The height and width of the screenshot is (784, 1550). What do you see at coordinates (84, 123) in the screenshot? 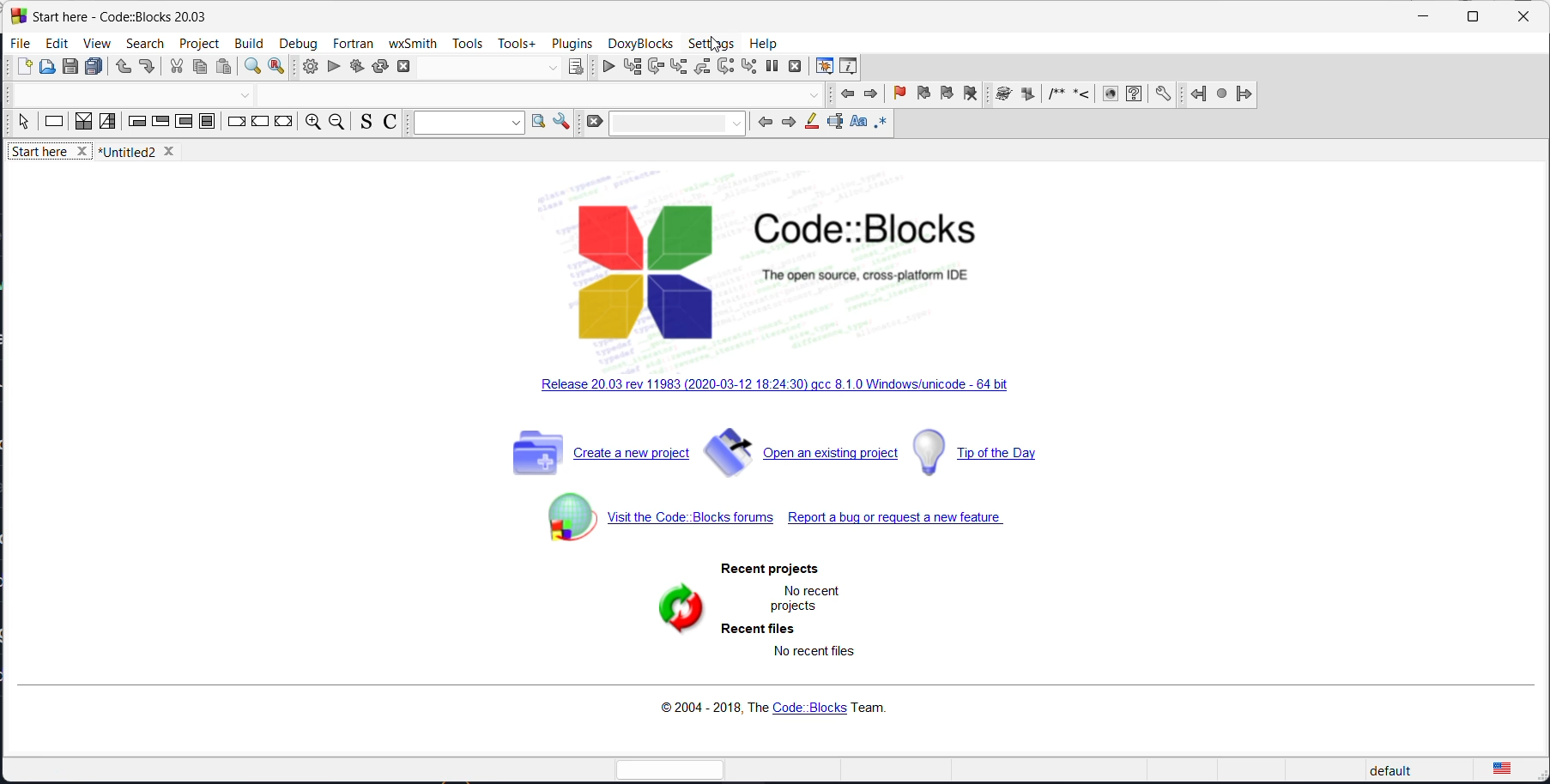
I see `decision` at bounding box center [84, 123].